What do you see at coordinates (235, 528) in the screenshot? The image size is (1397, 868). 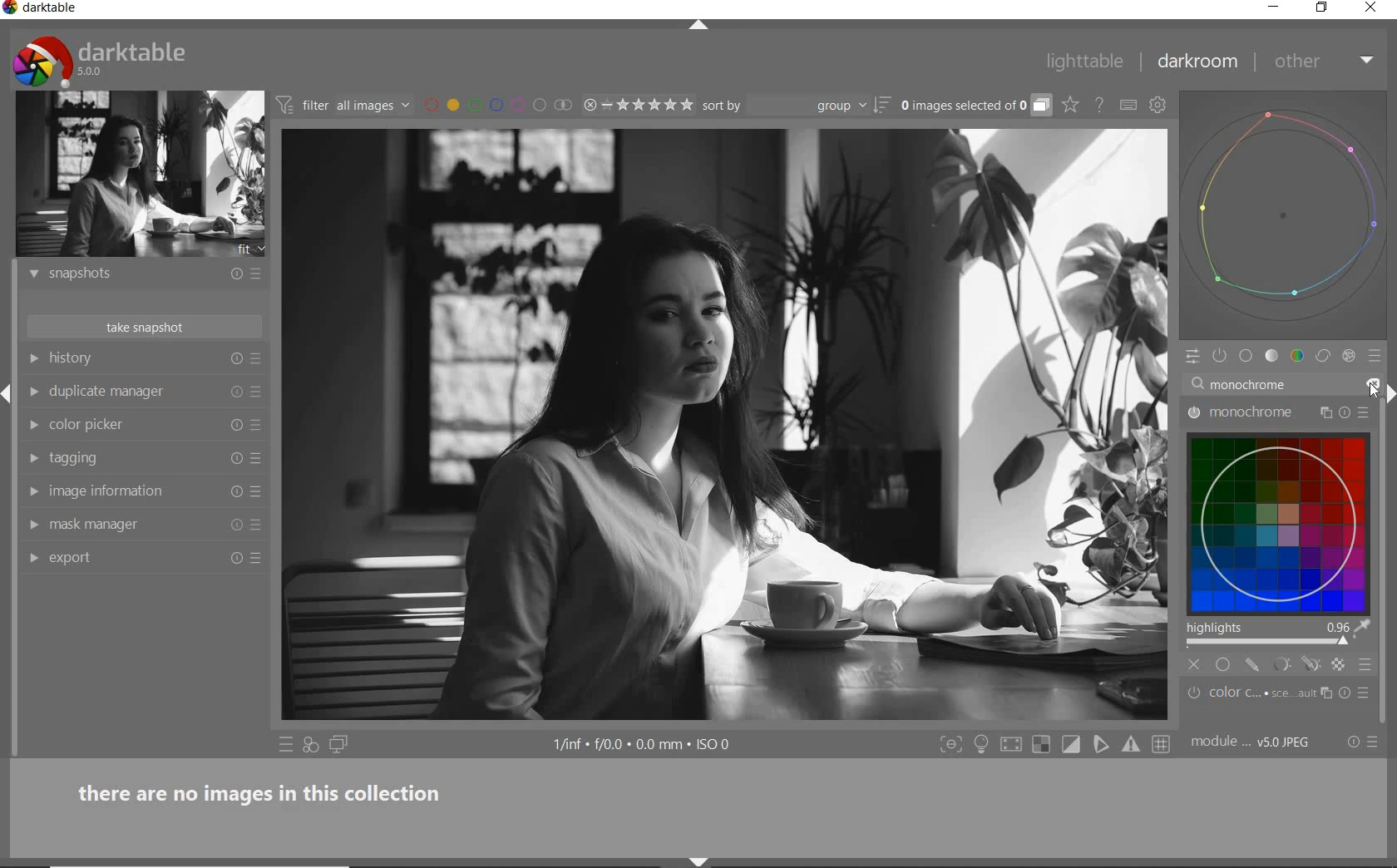 I see `reset` at bounding box center [235, 528].